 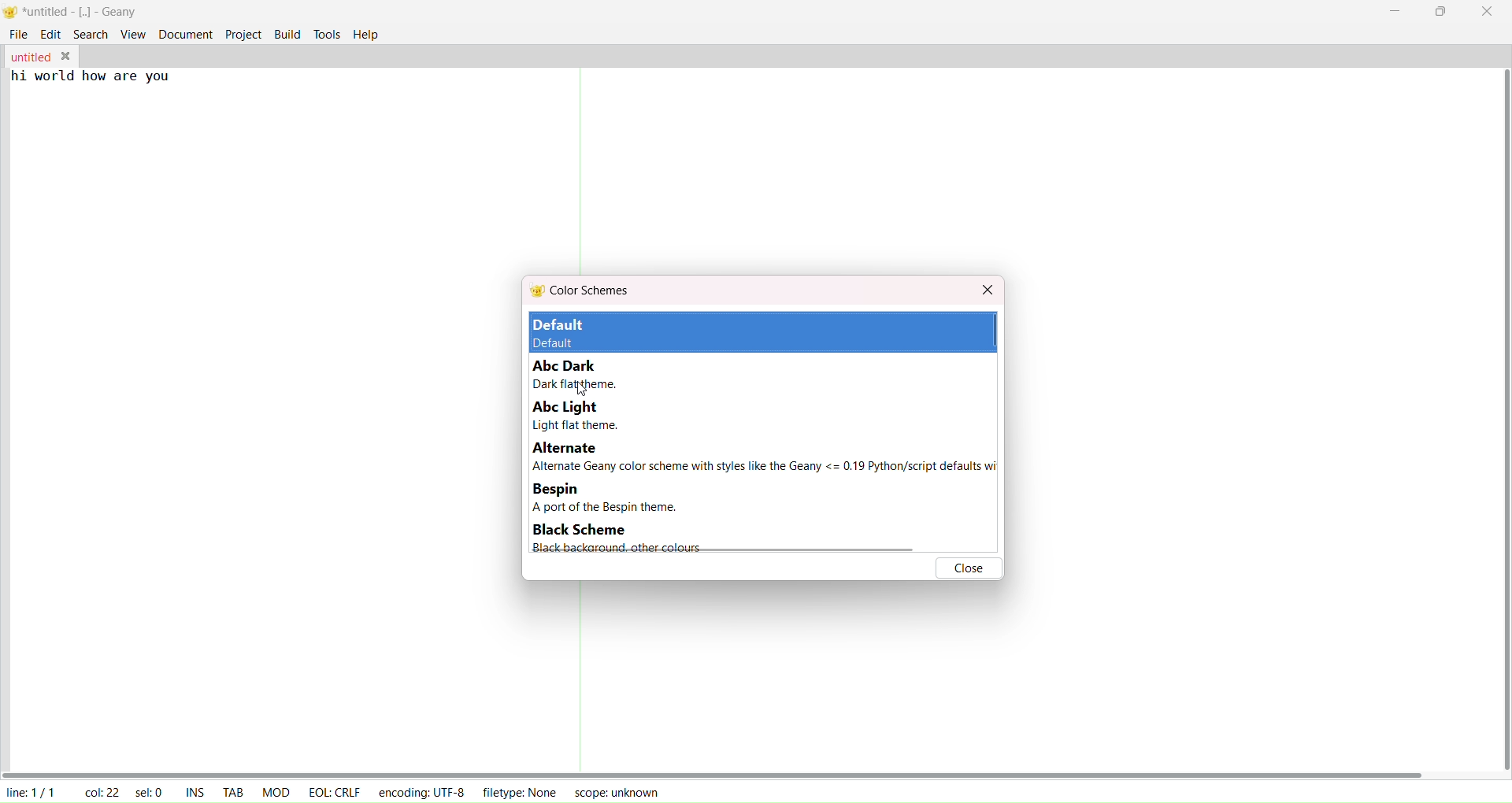 What do you see at coordinates (988, 291) in the screenshot?
I see `close` at bounding box center [988, 291].